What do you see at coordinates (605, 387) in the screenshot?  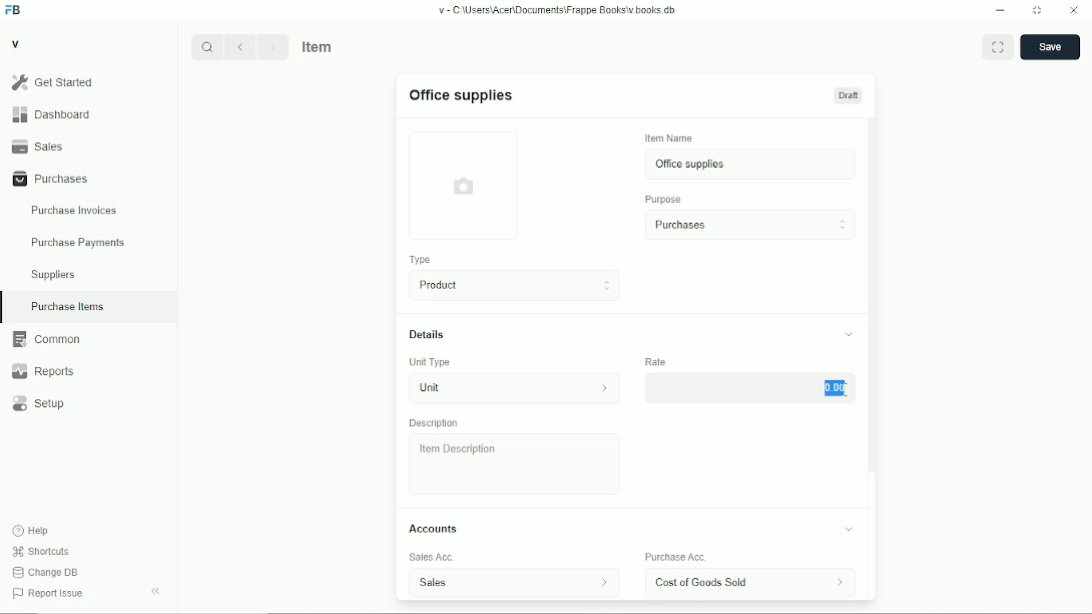 I see `unit information` at bounding box center [605, 387].